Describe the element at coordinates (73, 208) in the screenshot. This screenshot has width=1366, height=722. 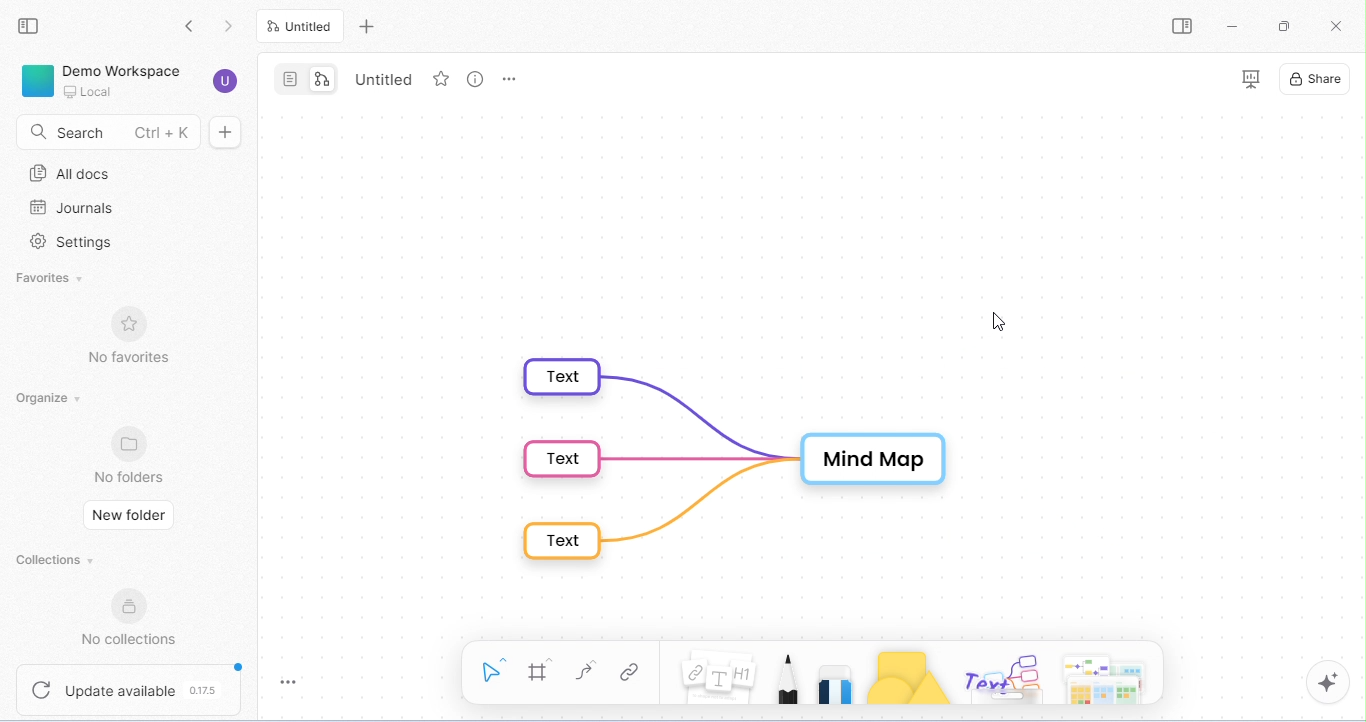
I see `journals` at that location.